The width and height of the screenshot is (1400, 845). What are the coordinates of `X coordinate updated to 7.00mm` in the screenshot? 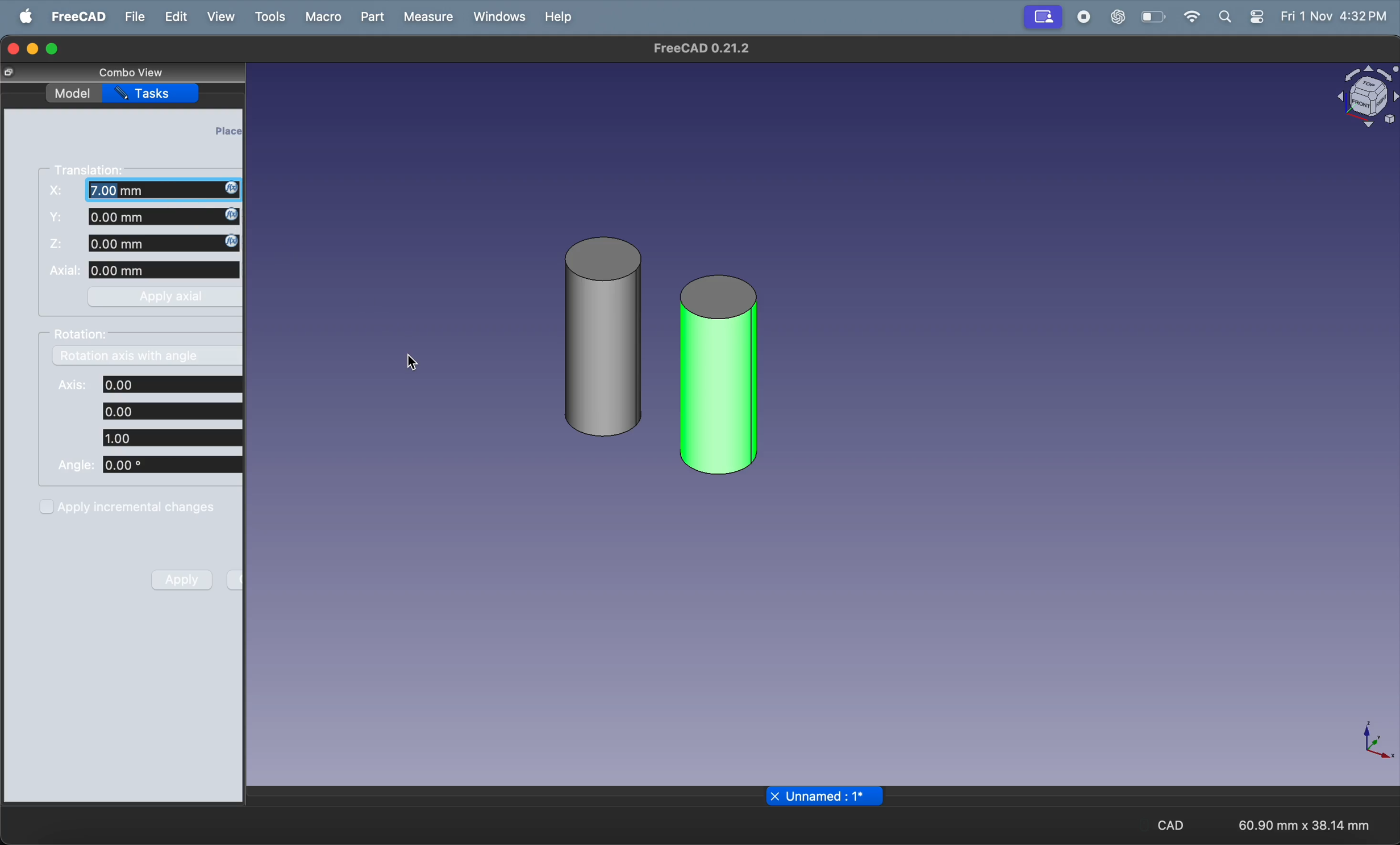 It's located at (163, 190).